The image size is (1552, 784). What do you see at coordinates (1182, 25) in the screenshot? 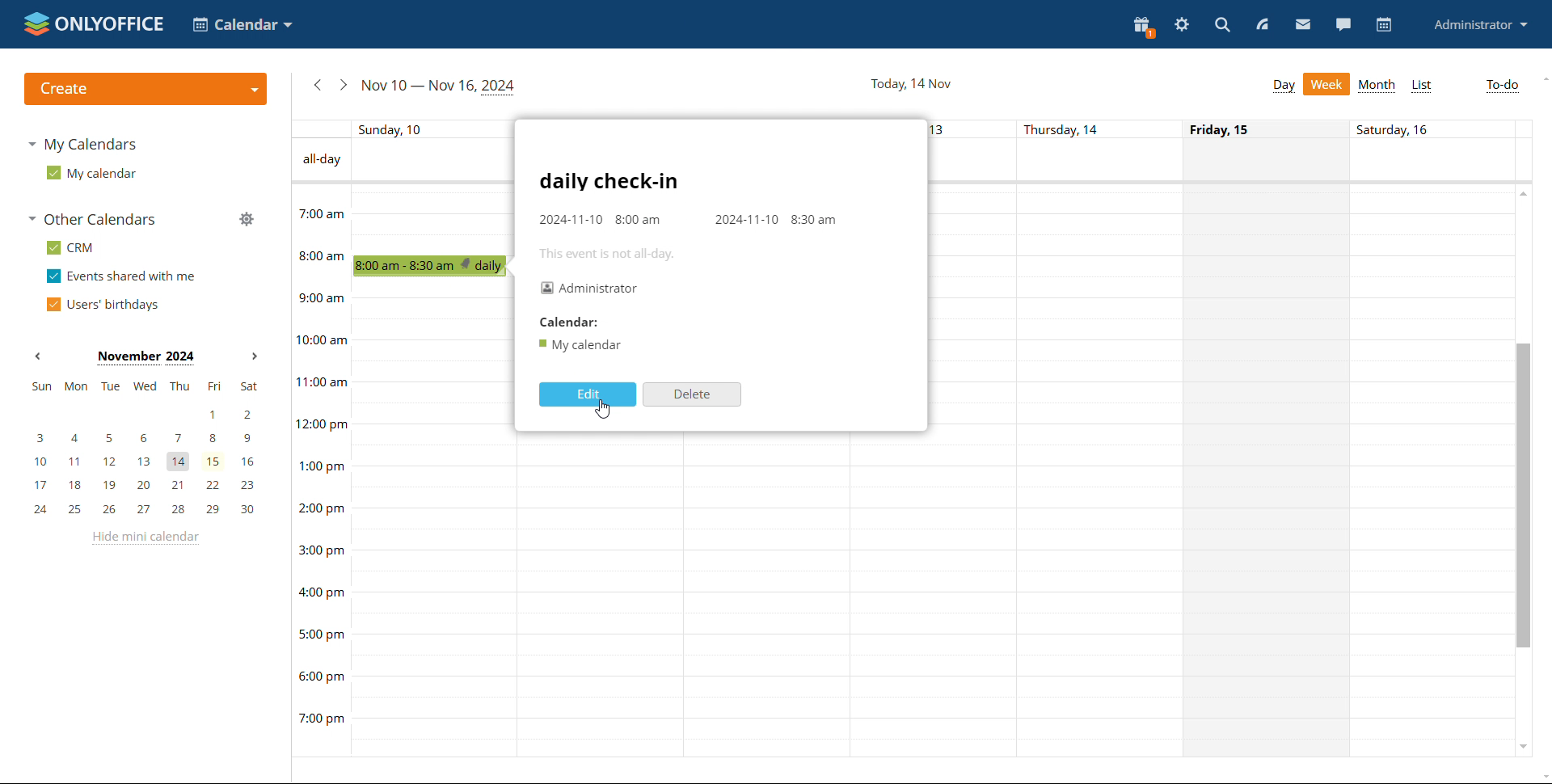
I see `settings` at bounding box center [1182, 25].